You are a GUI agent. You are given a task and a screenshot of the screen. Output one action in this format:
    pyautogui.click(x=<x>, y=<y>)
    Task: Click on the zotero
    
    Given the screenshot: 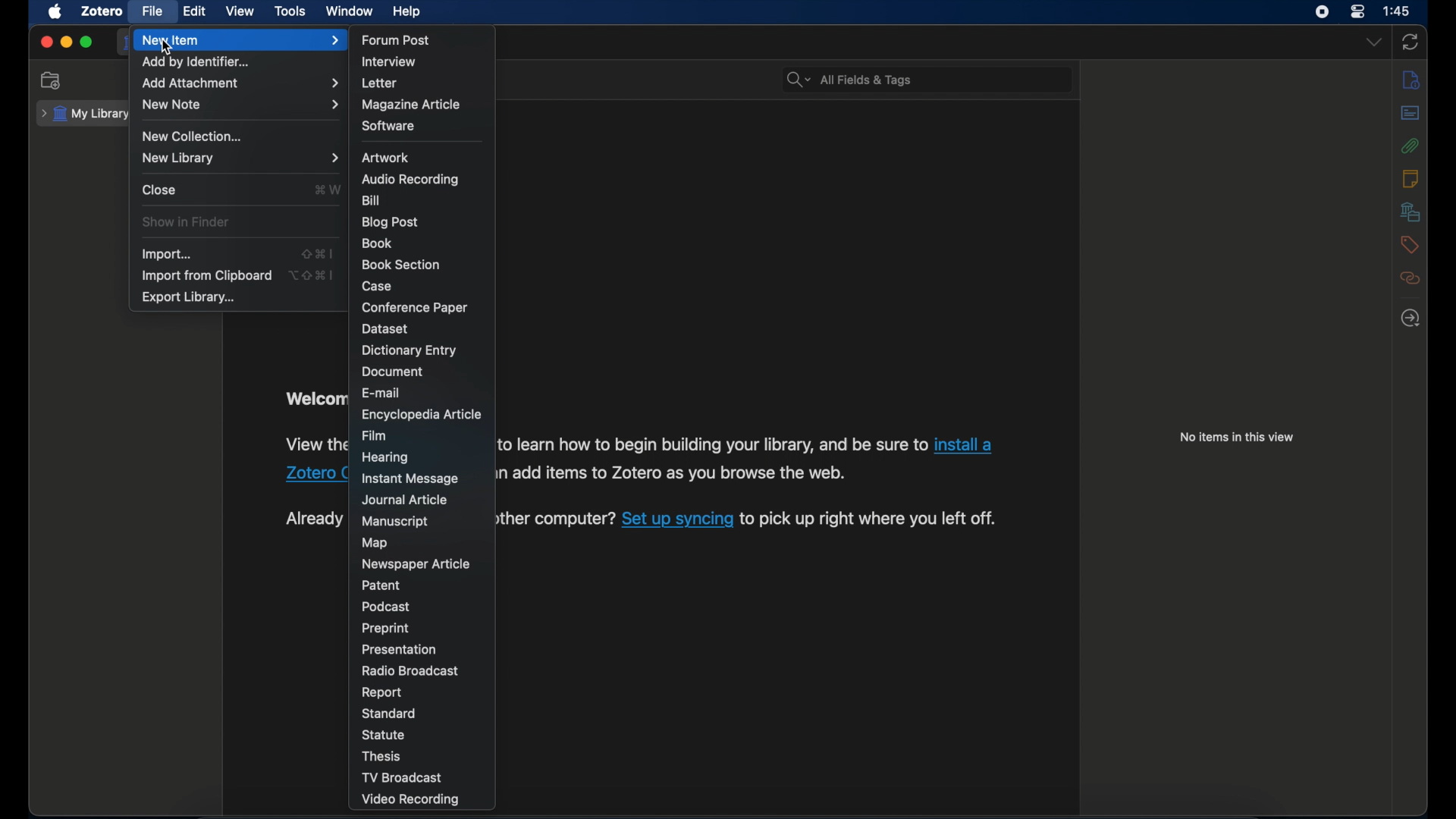 What is the action you would take?
    pyautogui.click(x=103, y=11)
    